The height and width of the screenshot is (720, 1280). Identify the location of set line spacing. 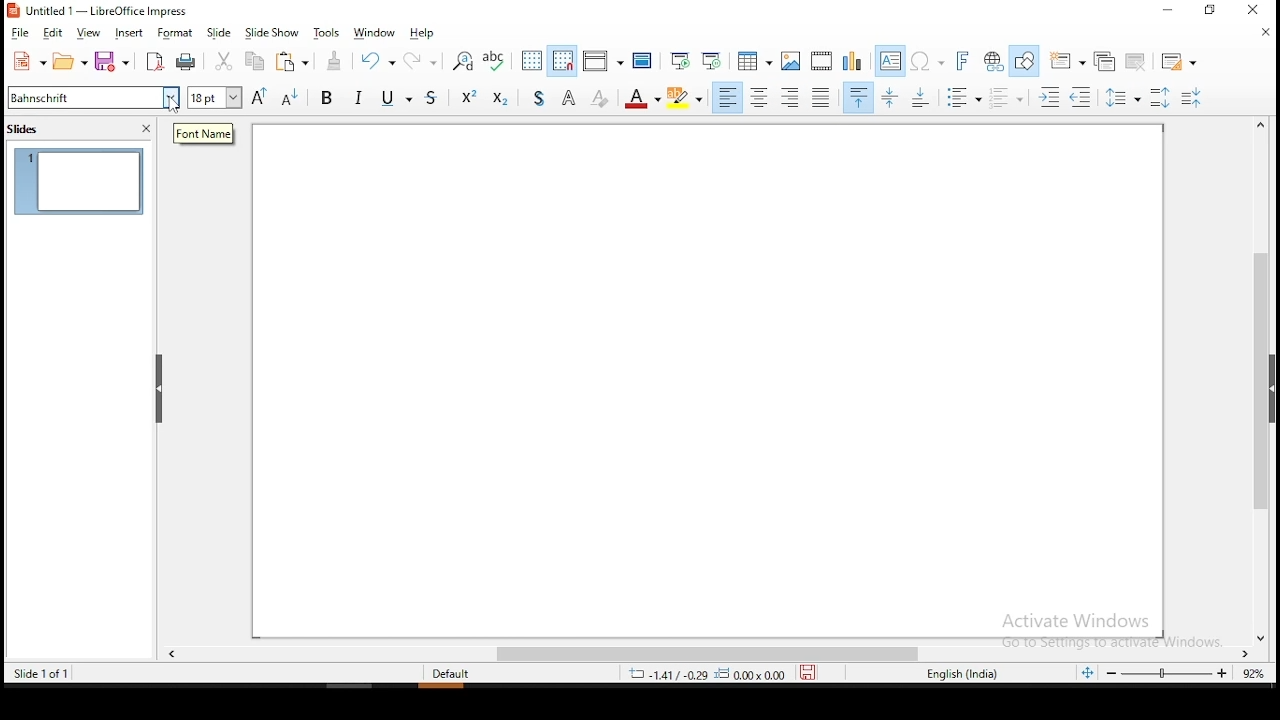
(1123, 95).